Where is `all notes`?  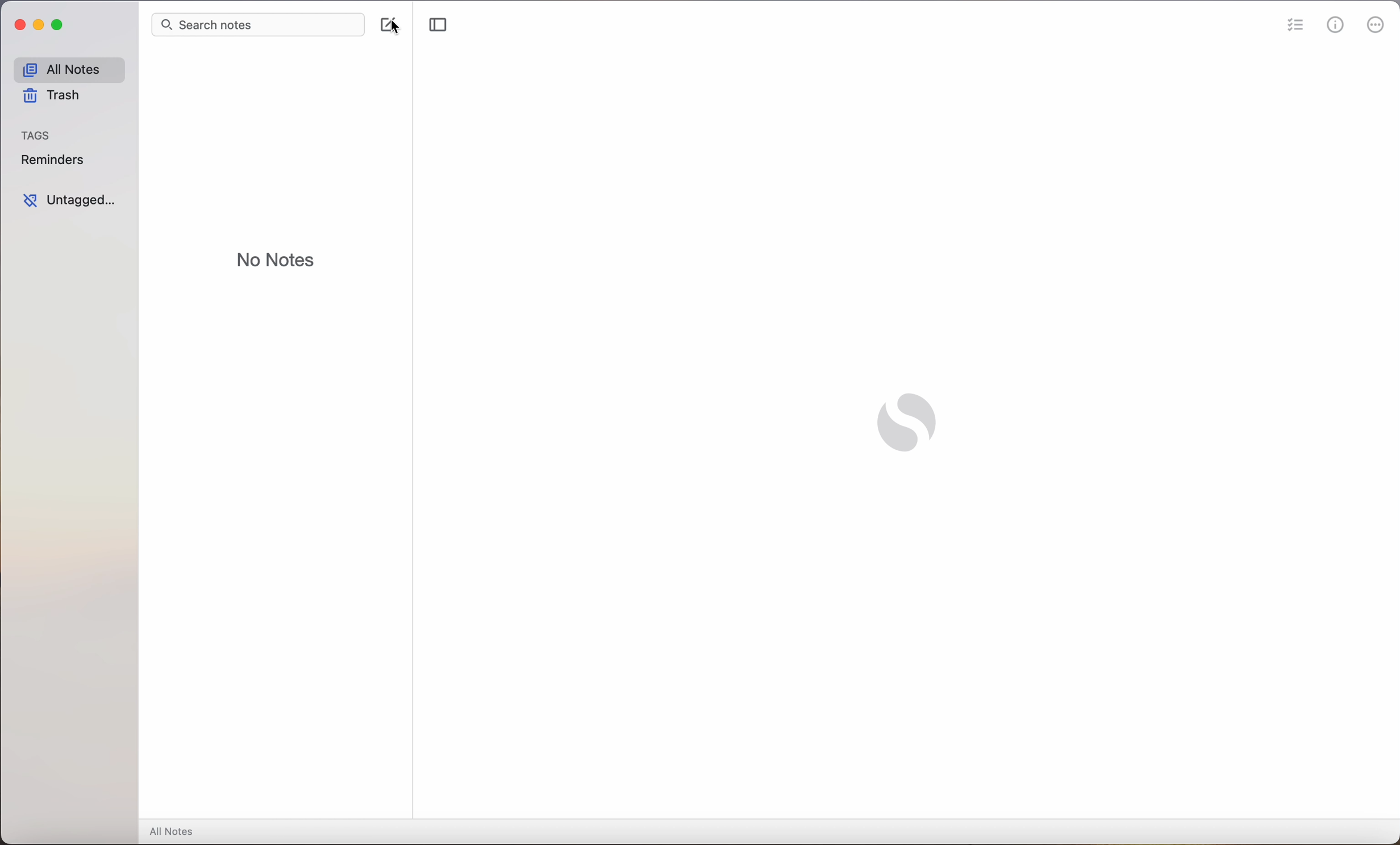 all notes is located at coordinates (68, 71).